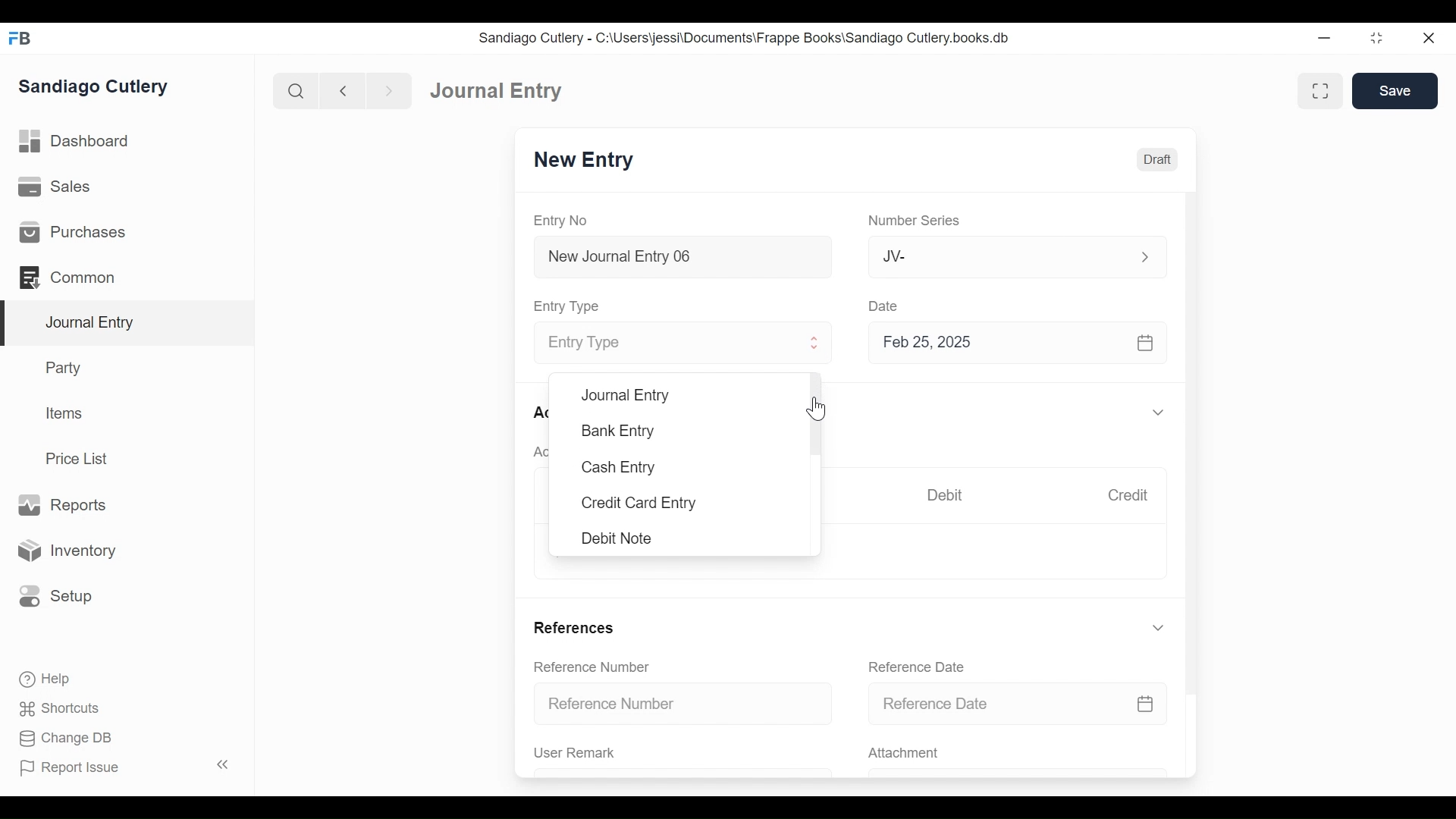 The image size is (1456, 819). Describe the element at coordinates (497, 89) in the screenshot. I see `Journal Entry` at that location.